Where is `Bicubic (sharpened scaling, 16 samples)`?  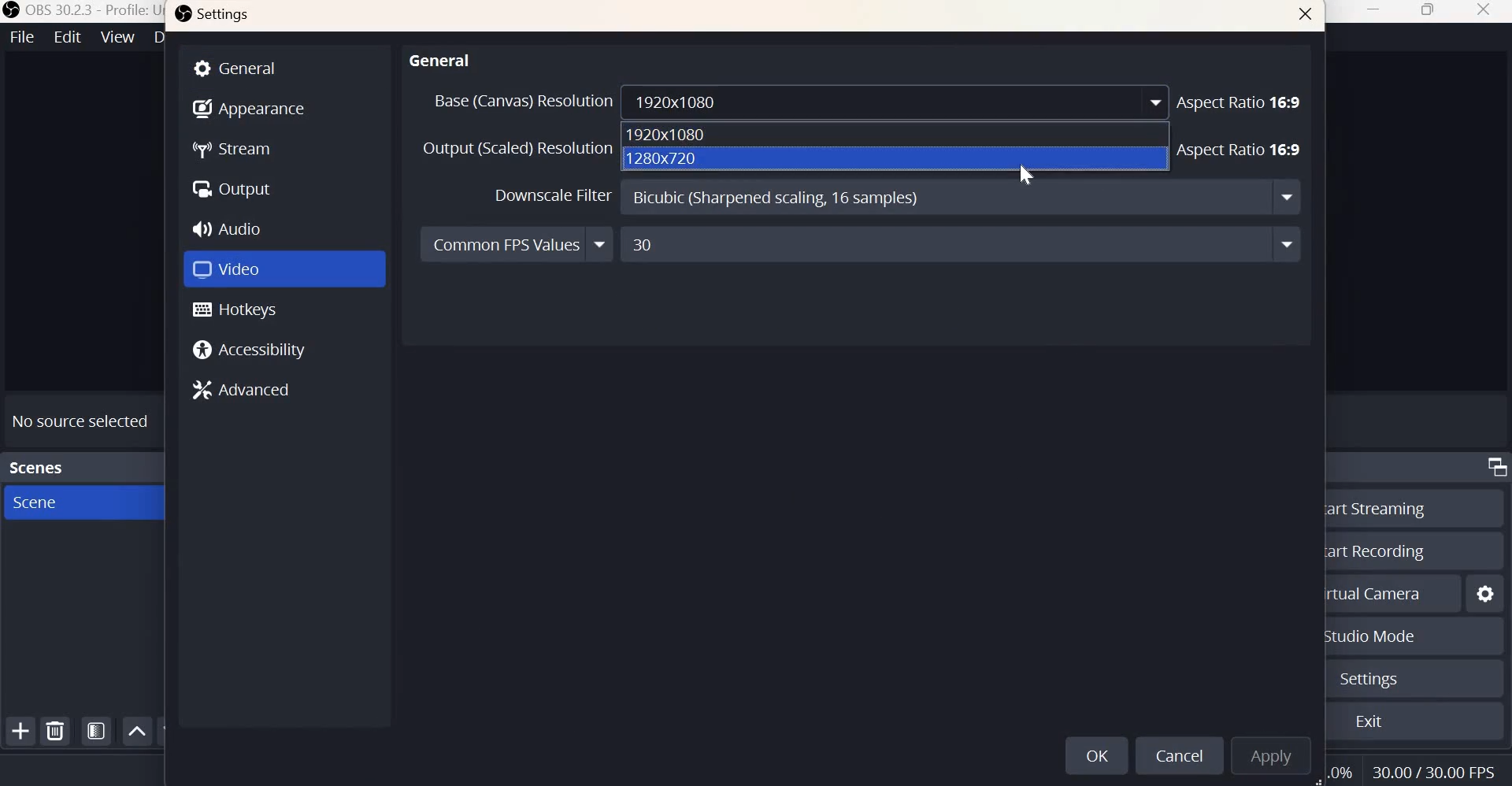 Bicubic (sharpened scaling, 16 samples) is located at coordinates (960, 198).